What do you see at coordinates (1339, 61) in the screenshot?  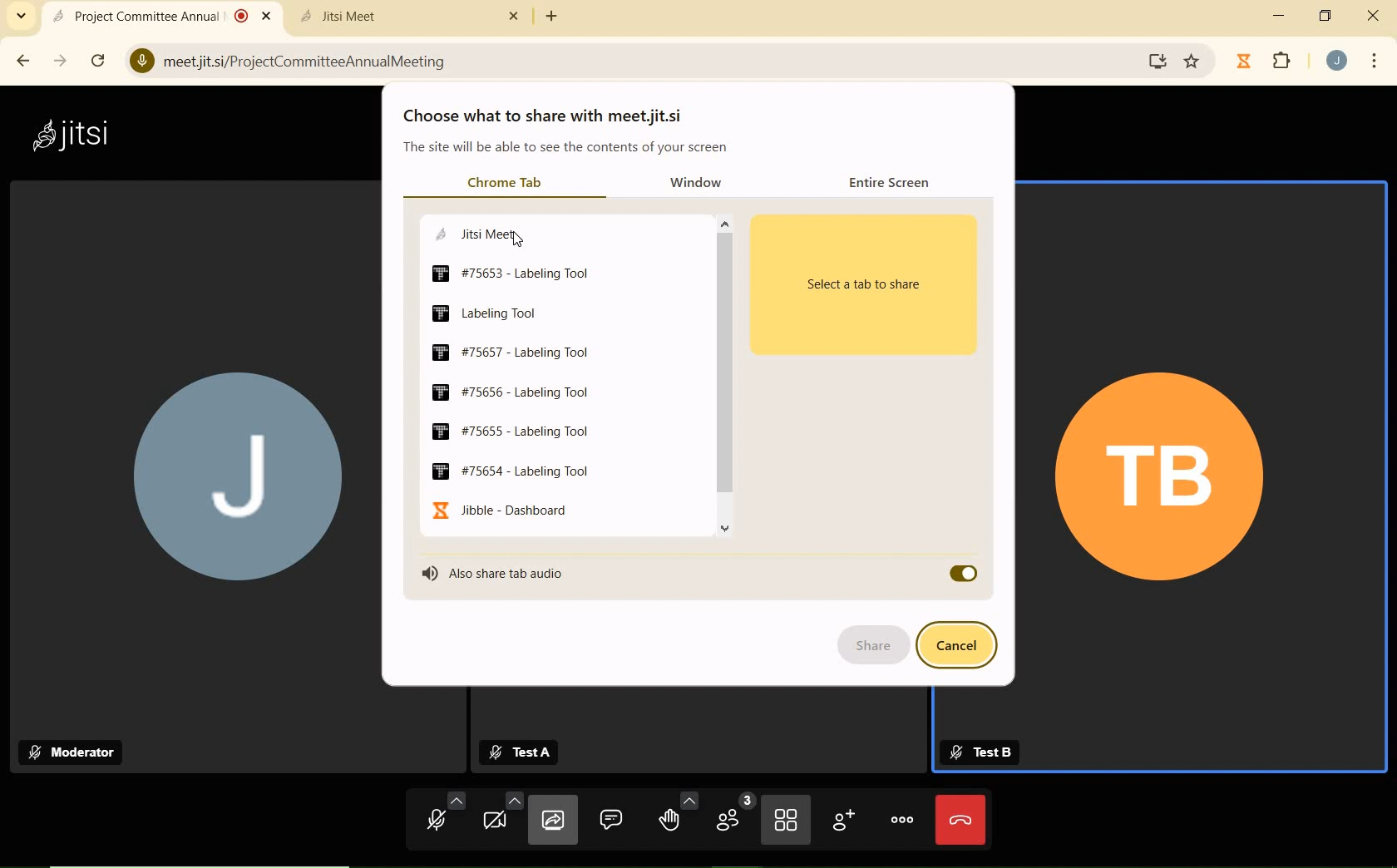 I see `account` at bounding box center [1339, 61].